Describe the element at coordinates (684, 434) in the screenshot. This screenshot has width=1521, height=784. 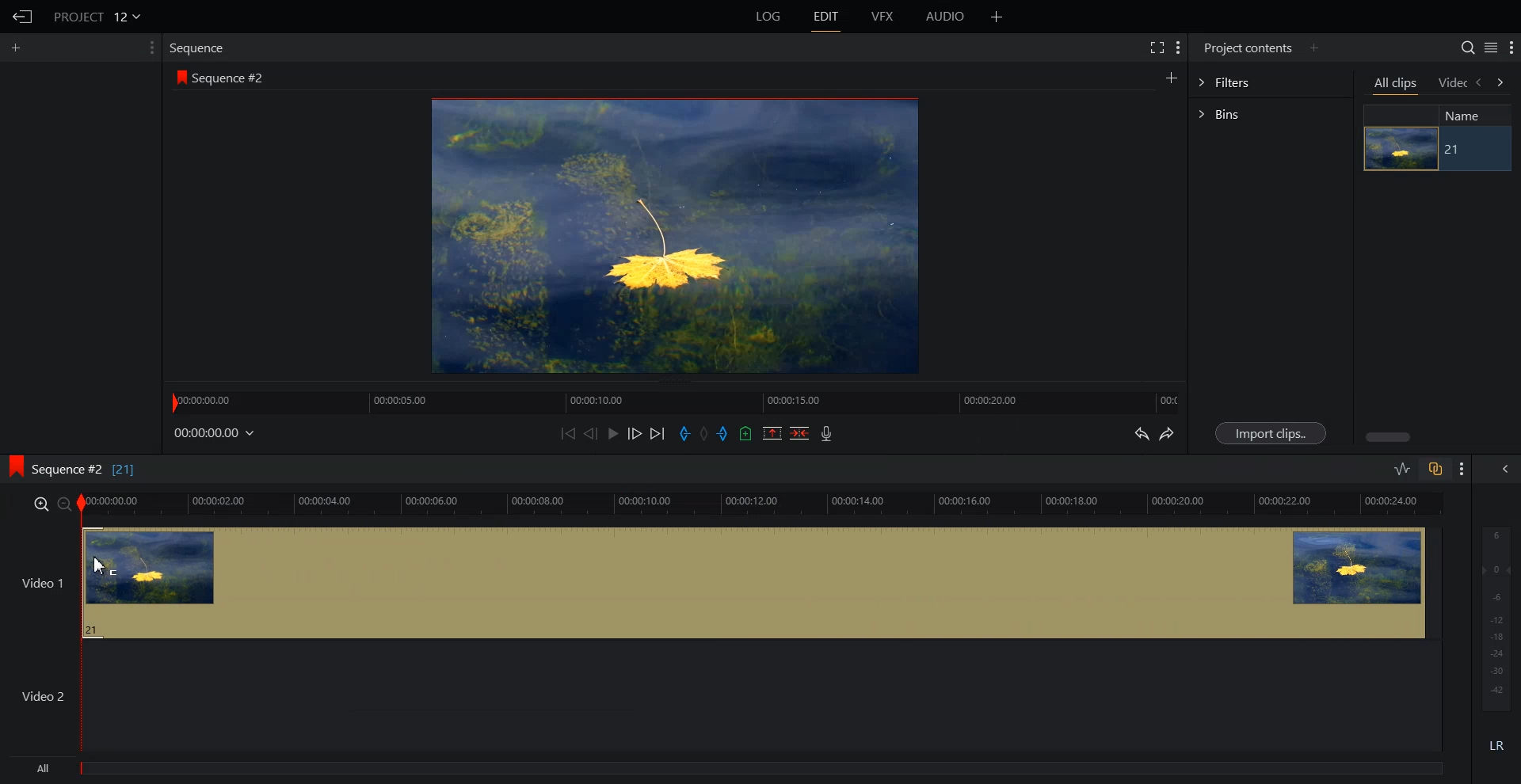
I see `Add in mark in the current video` at that location.